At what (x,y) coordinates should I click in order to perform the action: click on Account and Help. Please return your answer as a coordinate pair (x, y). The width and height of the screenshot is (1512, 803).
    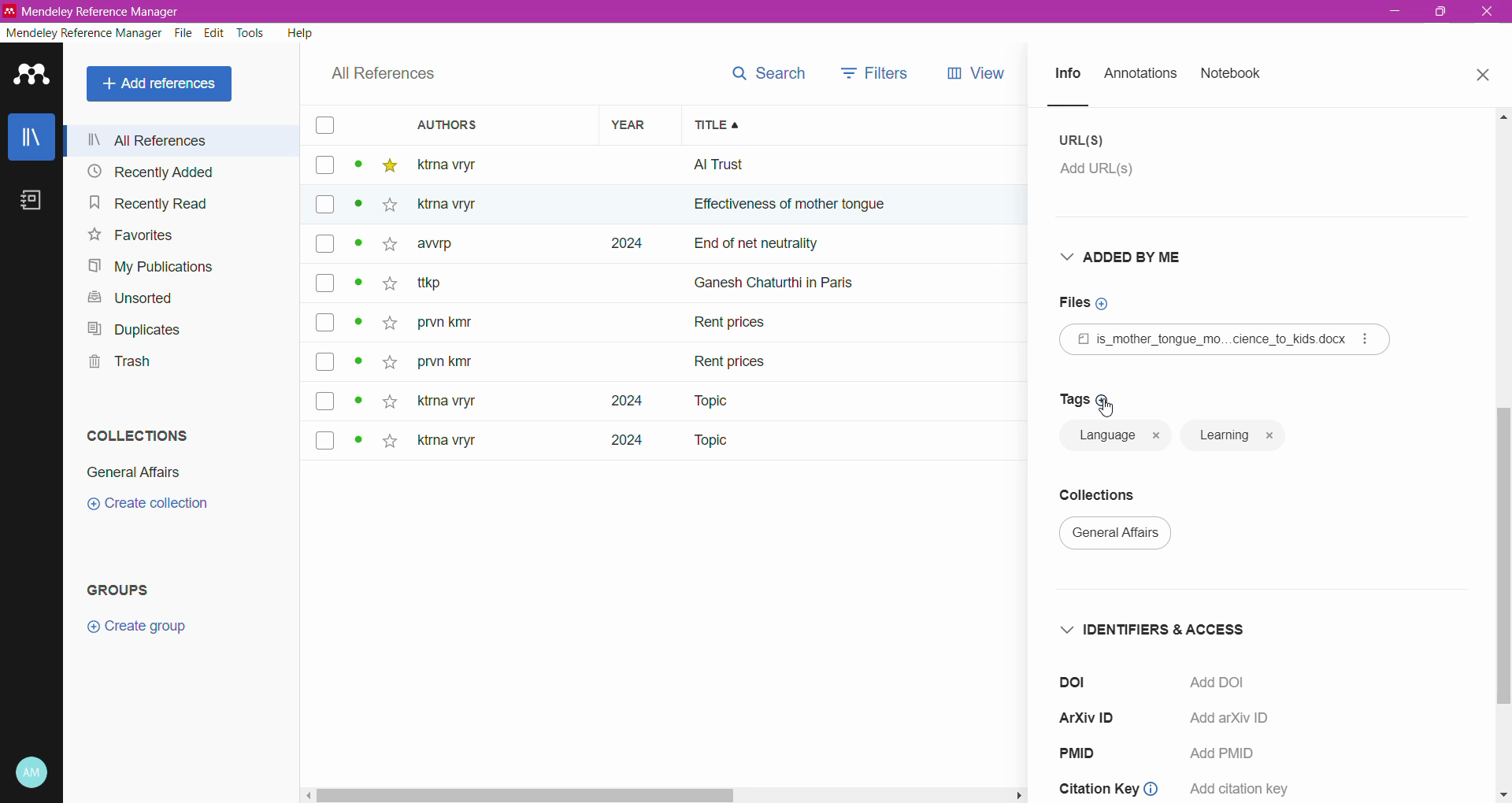
    Looking at the image, I should click on (32, 773).